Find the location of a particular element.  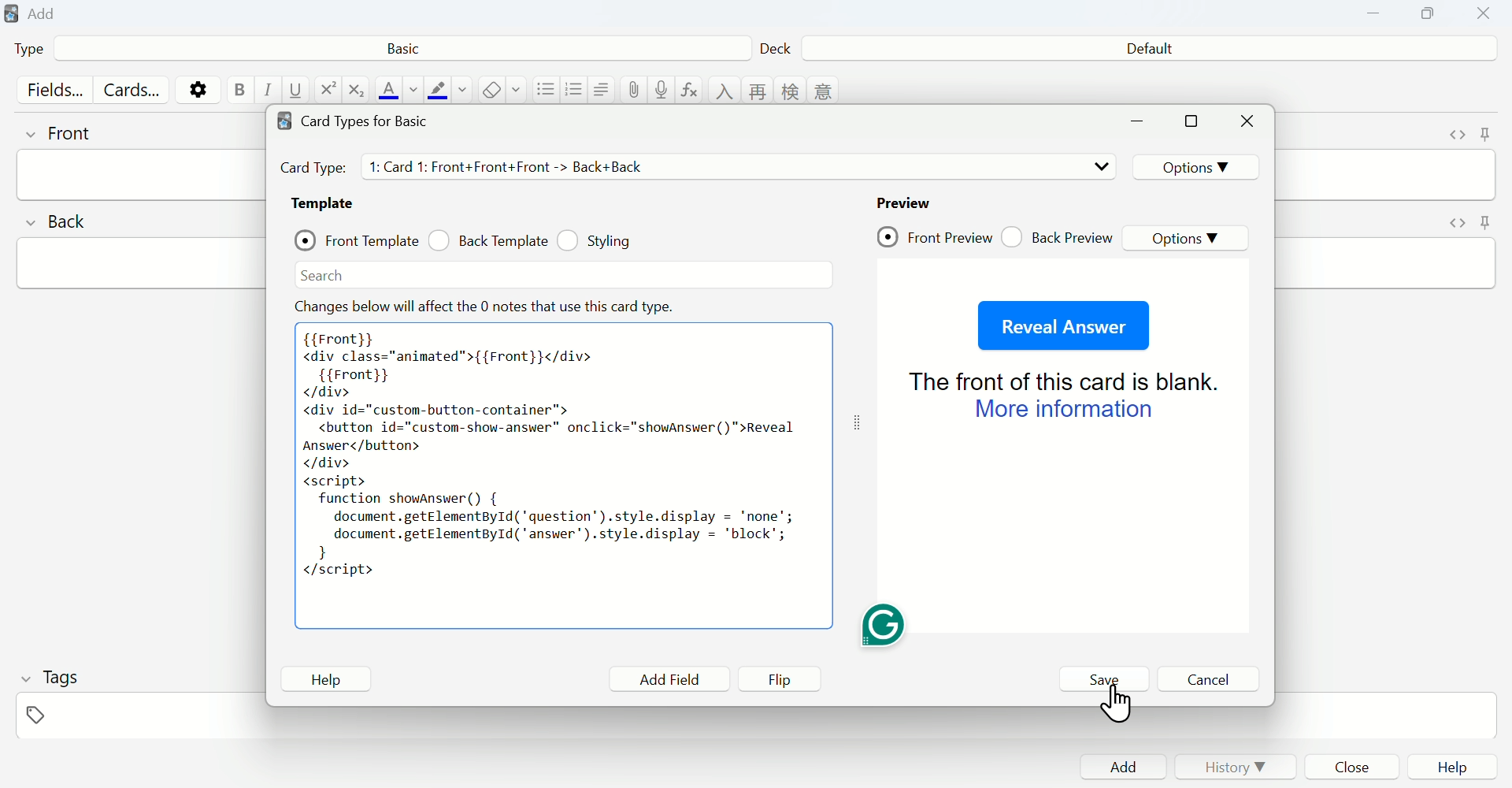

Close is located at coordinates (1351, 767).